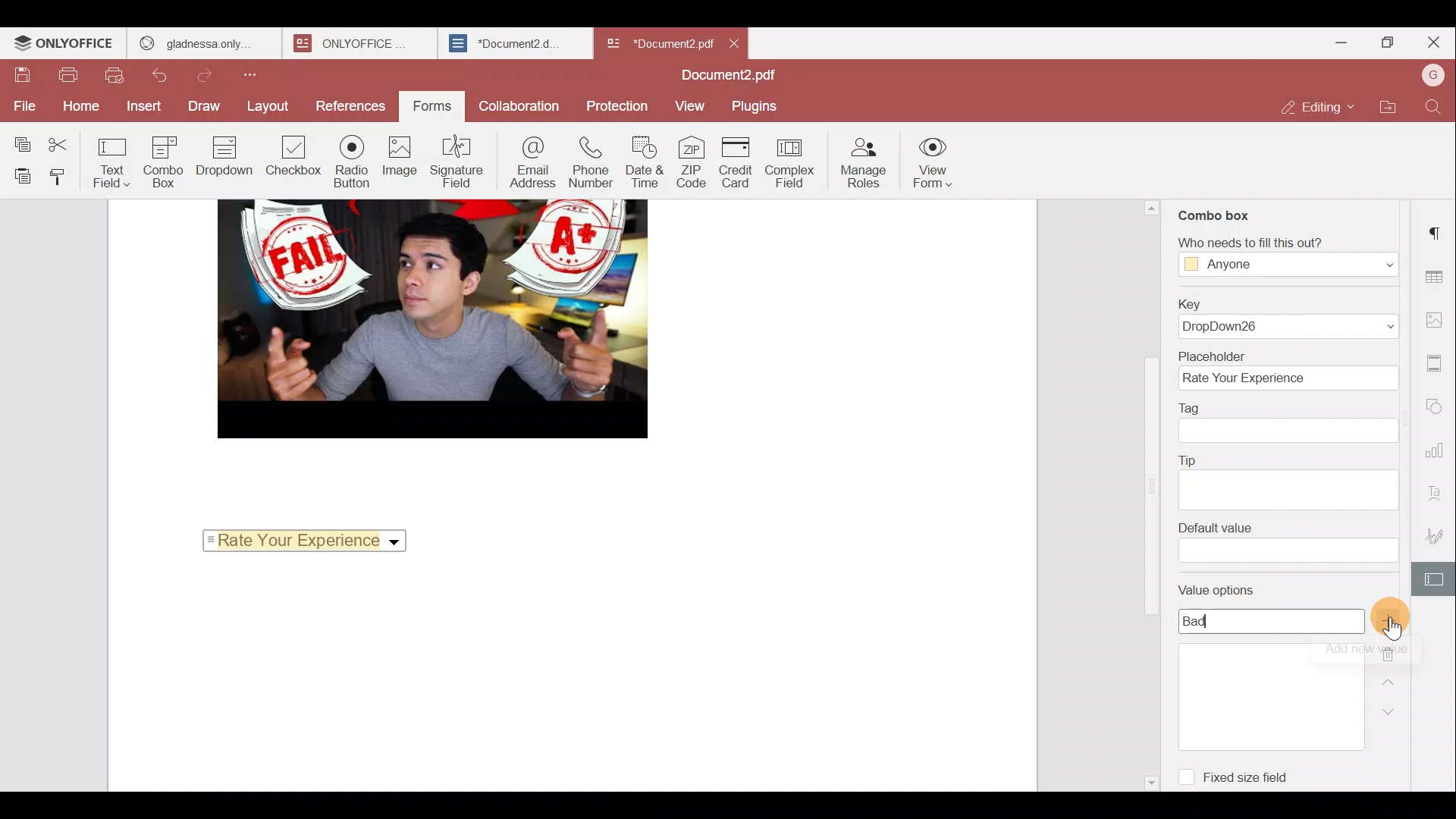  Describe the element at coordinates (658, 42) in the screenshot. I see `*Document2 pdf` at that location.